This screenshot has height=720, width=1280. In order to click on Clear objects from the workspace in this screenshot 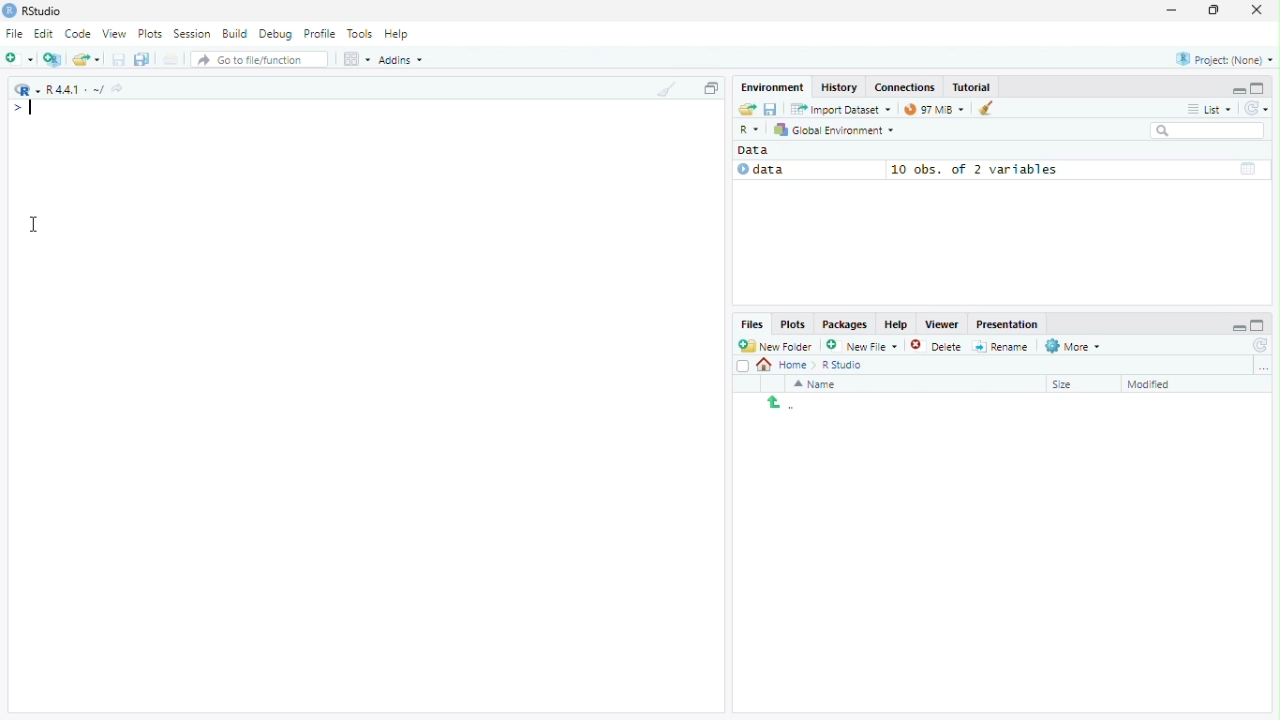, I will do `click(985, 108)`.